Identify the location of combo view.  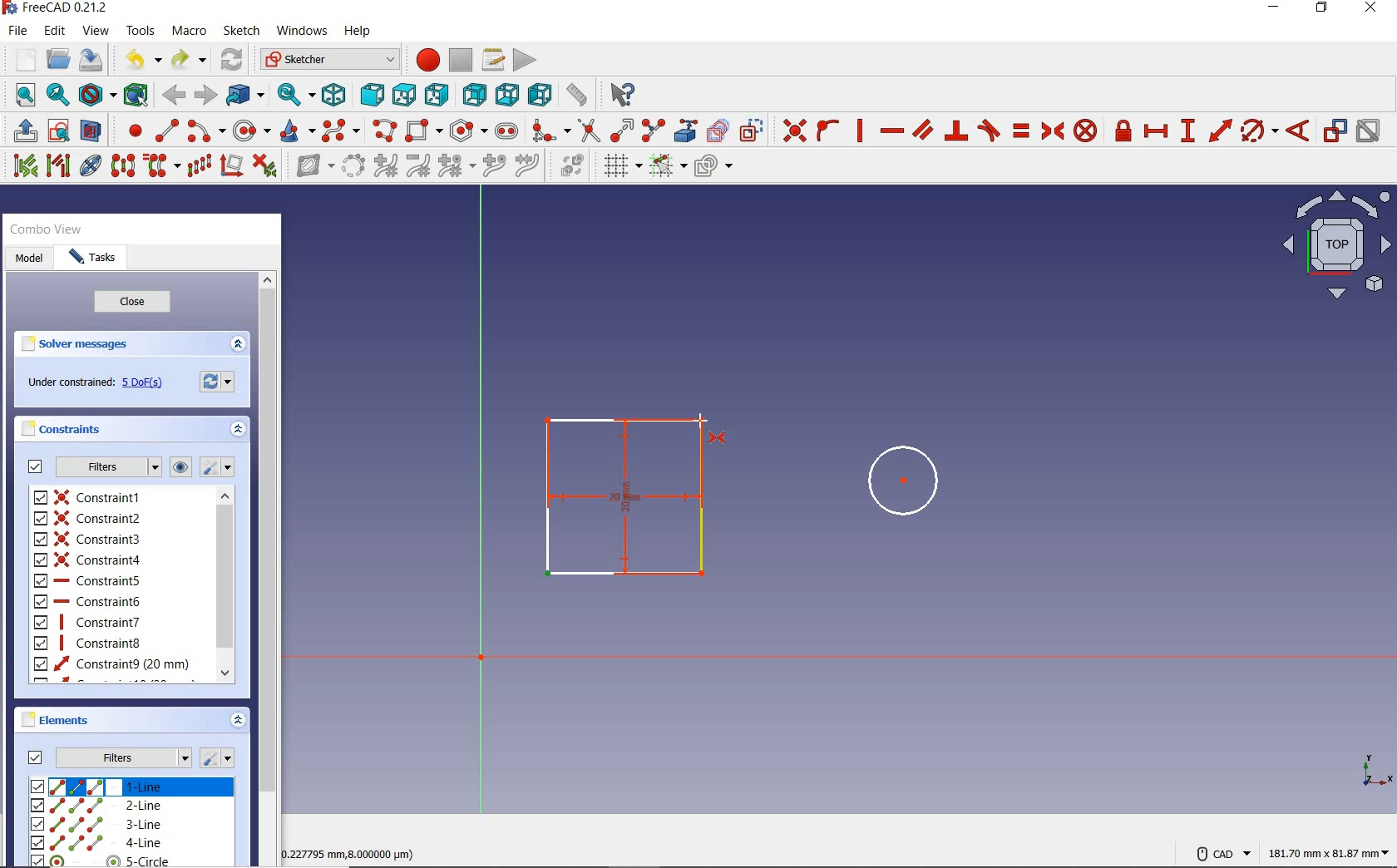
(45, 229).